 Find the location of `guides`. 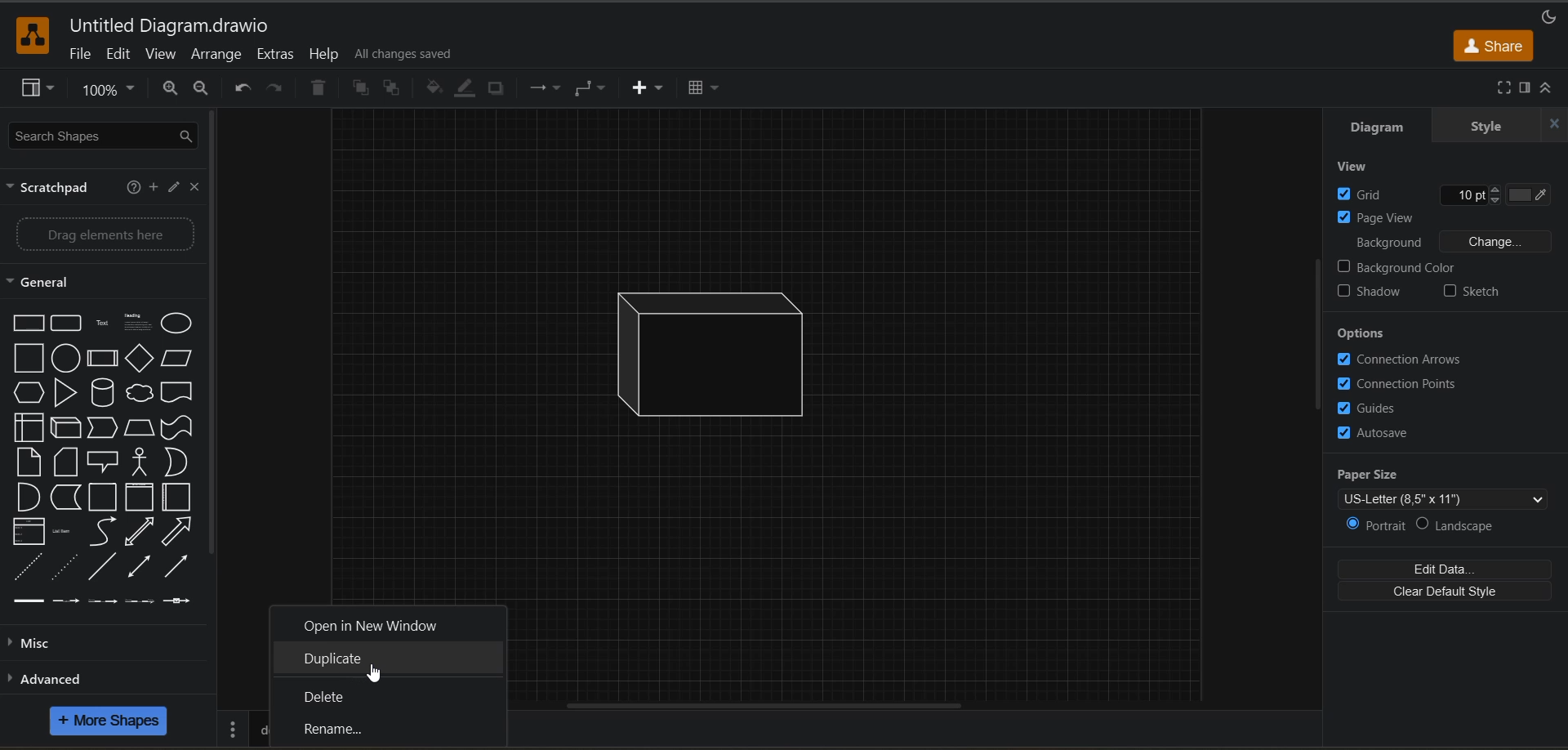

guides is located at coordinates (1378, 407).